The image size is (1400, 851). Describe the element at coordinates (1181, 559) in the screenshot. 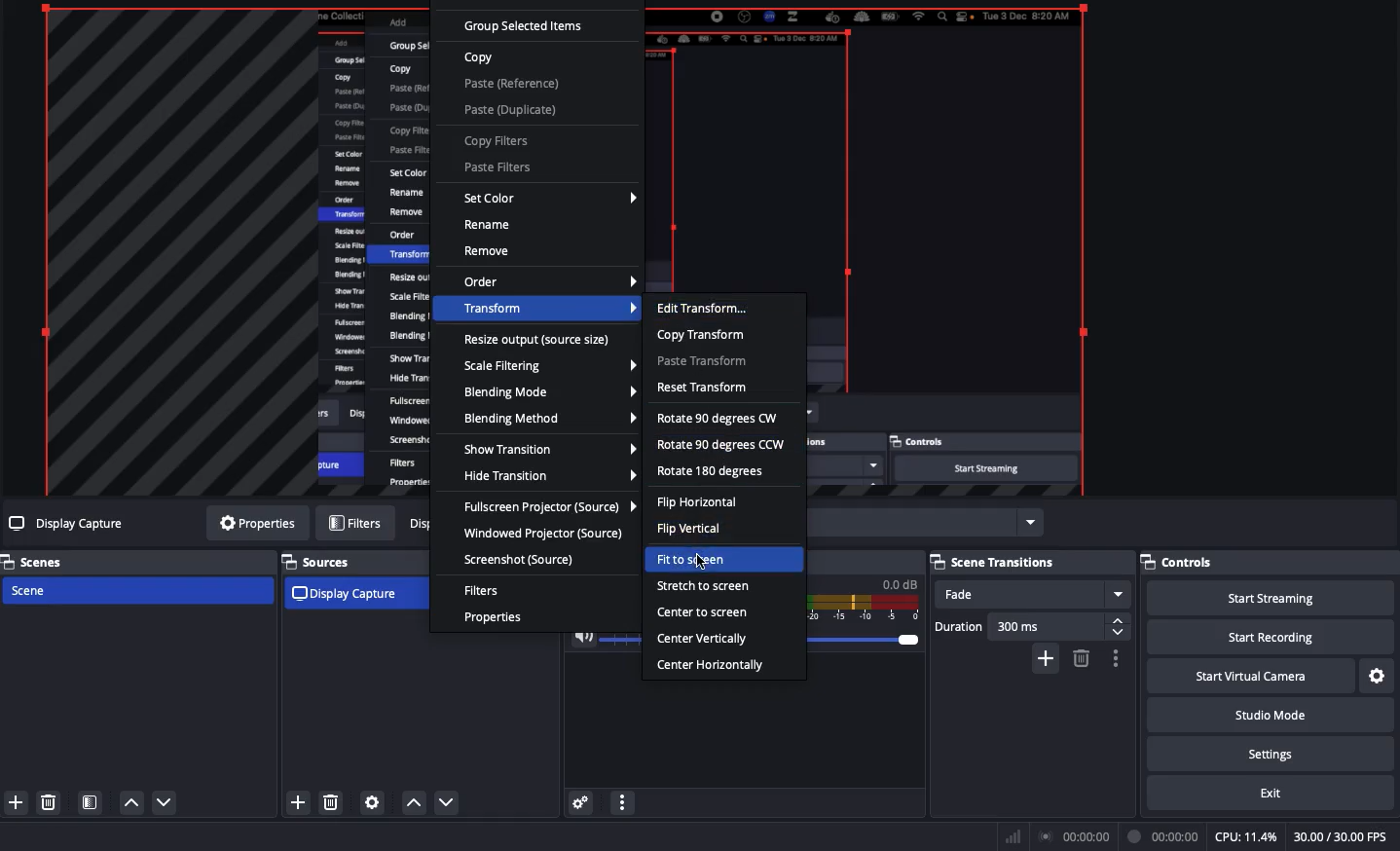

I see `Controls` at that location.